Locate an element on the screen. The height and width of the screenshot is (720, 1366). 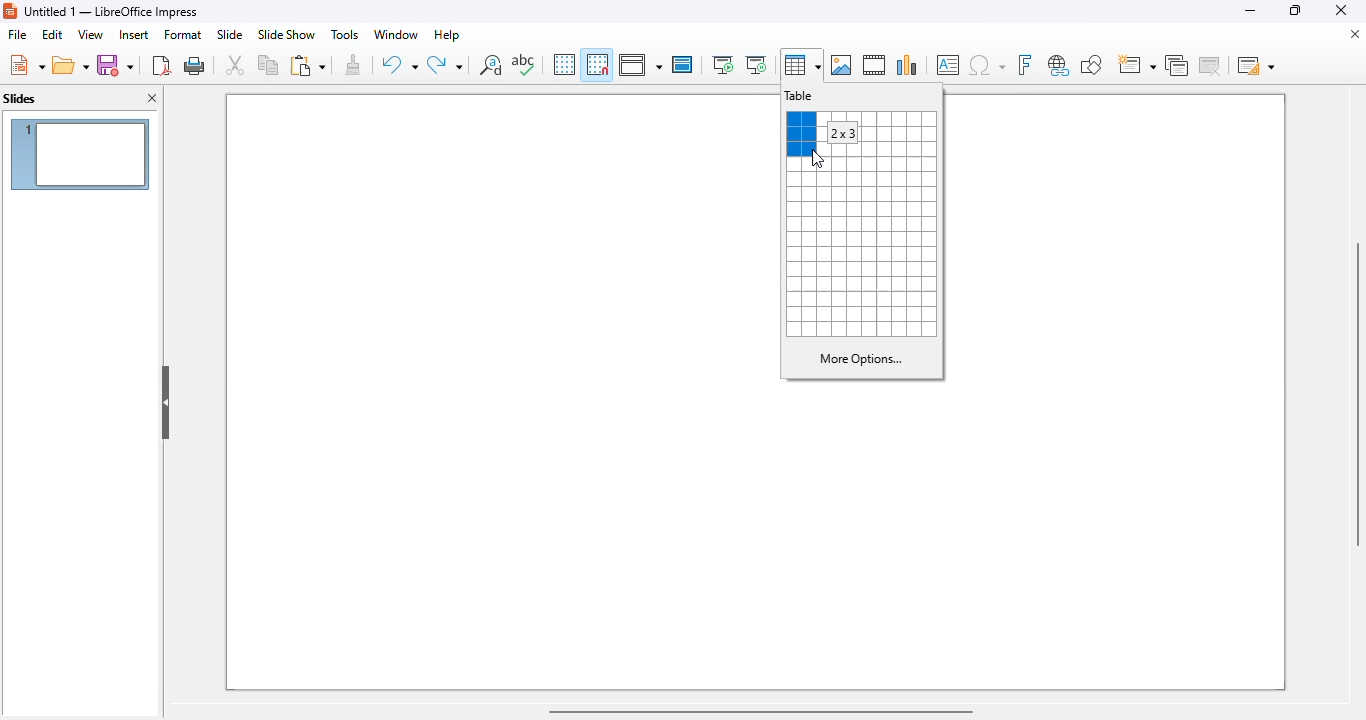
redo is located at coordinates (444, 64).